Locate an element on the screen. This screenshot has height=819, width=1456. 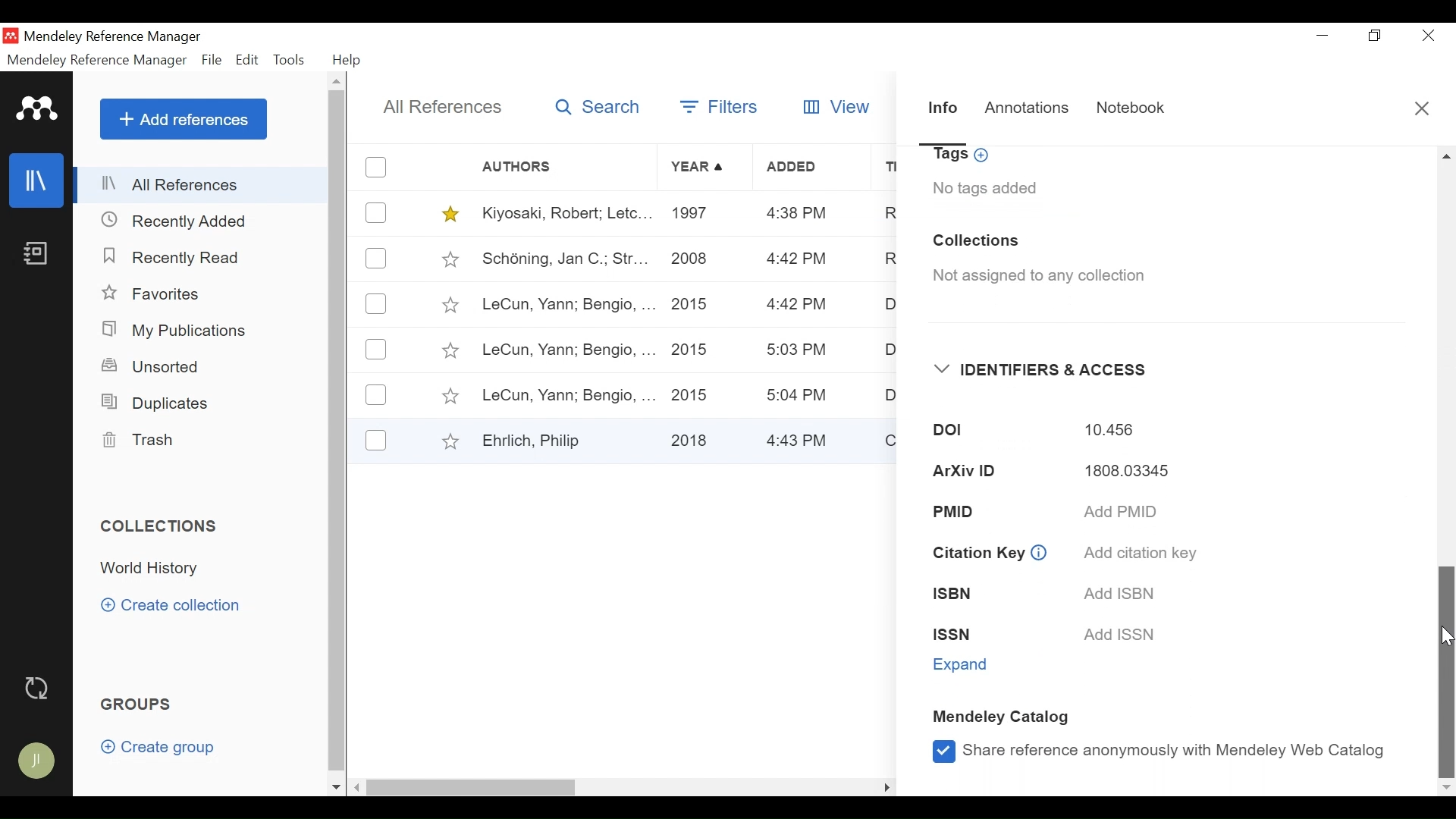
Avatar is located at coordinates (34, 760).